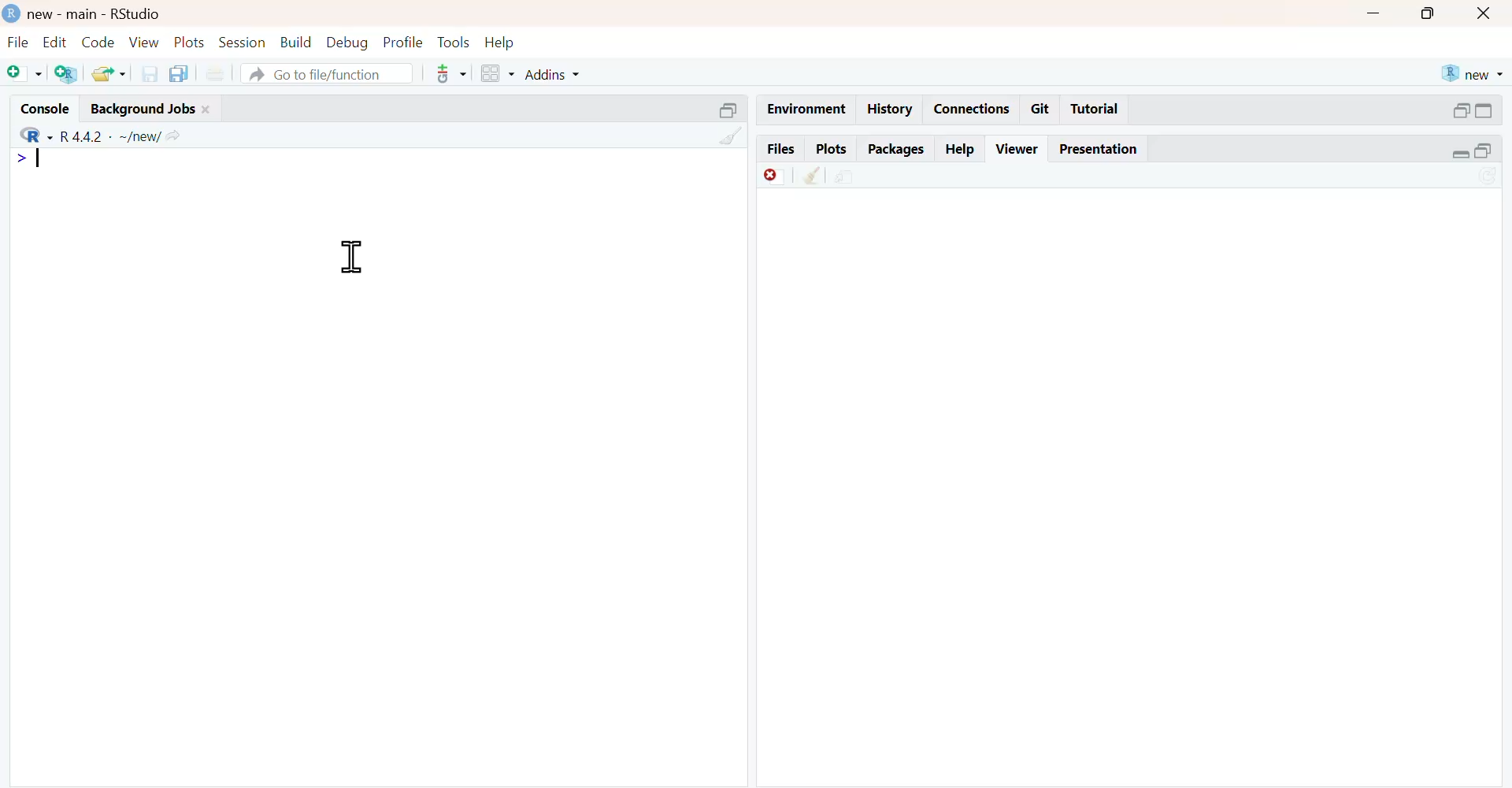  I want to click on share folder as, so click(109, 73).